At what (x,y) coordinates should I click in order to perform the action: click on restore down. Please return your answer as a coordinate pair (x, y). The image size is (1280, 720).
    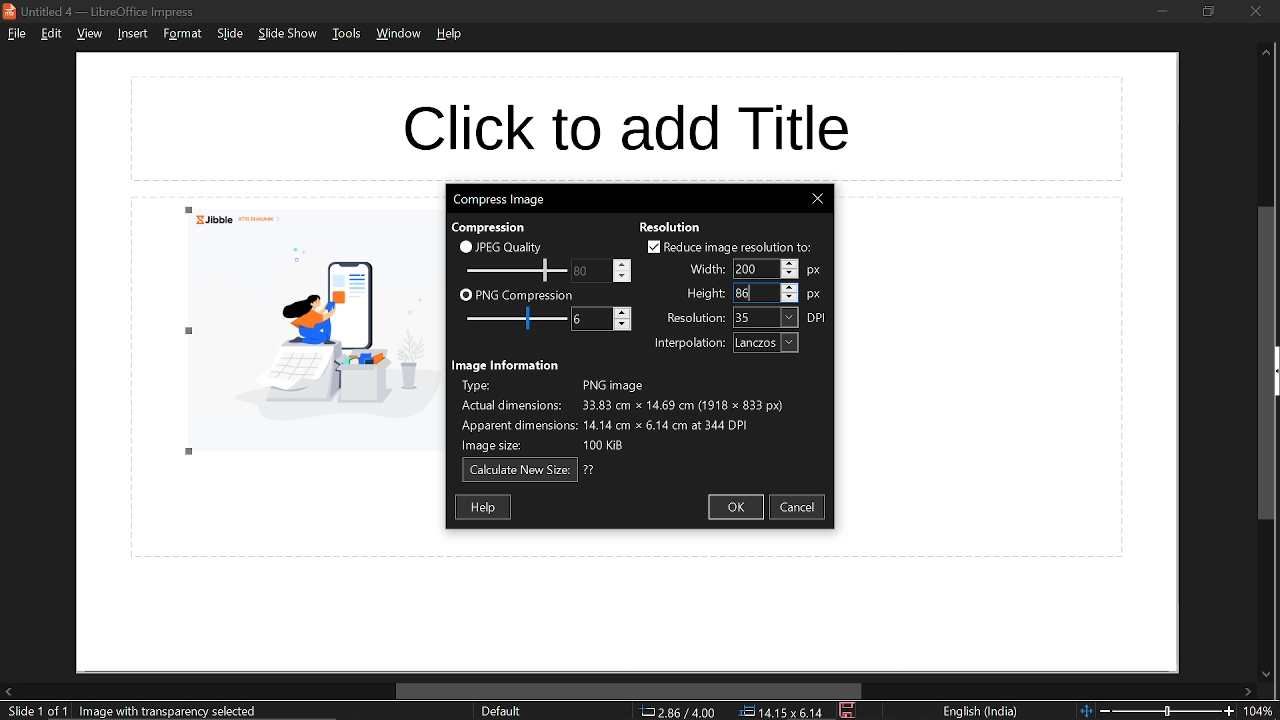
    Looking at the image, I should click on (1207, 11).